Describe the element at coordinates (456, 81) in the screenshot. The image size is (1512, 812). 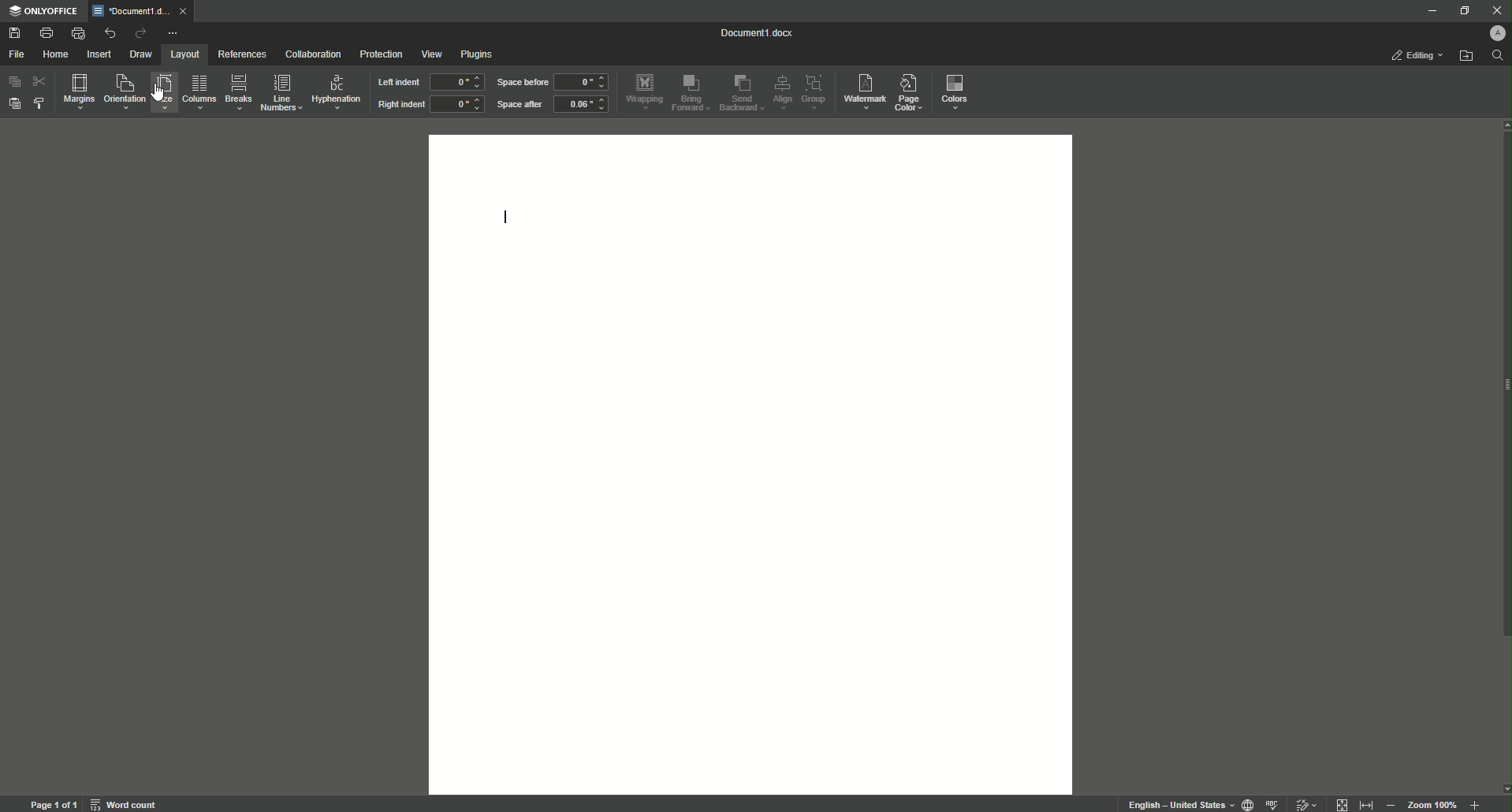
I see `0` at that location.